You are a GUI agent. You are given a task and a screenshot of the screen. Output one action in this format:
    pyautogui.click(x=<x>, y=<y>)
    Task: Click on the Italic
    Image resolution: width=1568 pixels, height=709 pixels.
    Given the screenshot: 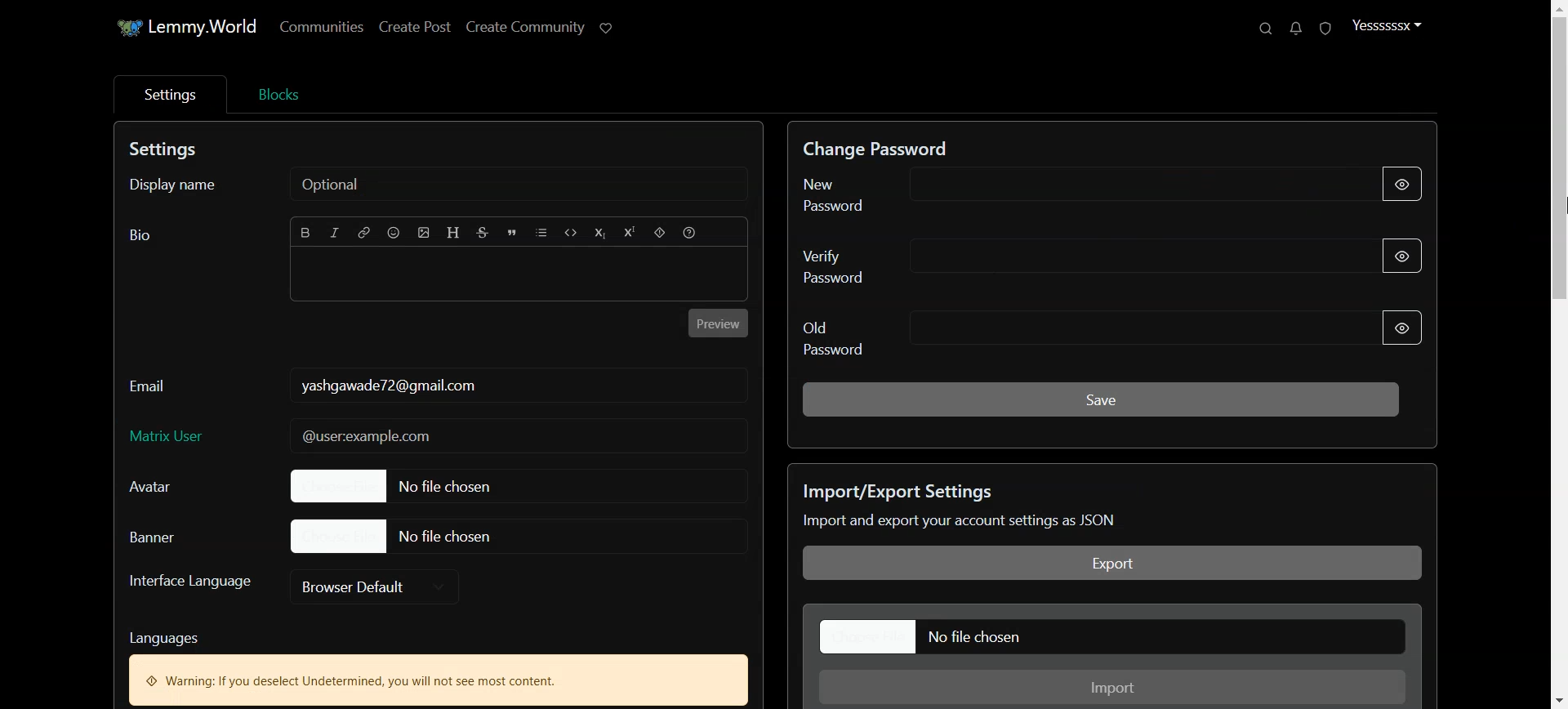 What is the action you would take?
    pyautogui.click(x=336, y=232)
    